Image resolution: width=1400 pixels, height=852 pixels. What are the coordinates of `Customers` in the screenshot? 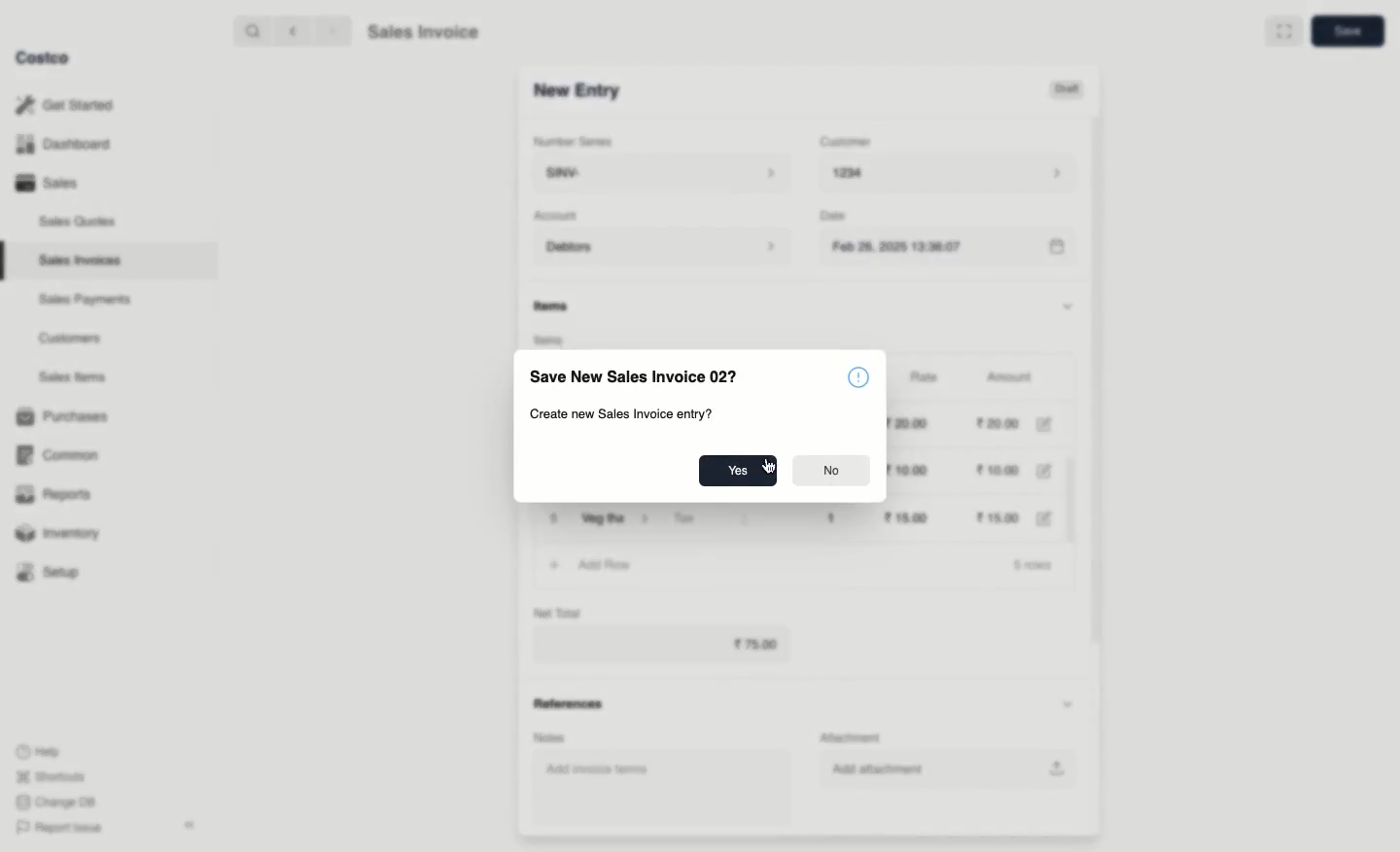 It's located at (70, 337).